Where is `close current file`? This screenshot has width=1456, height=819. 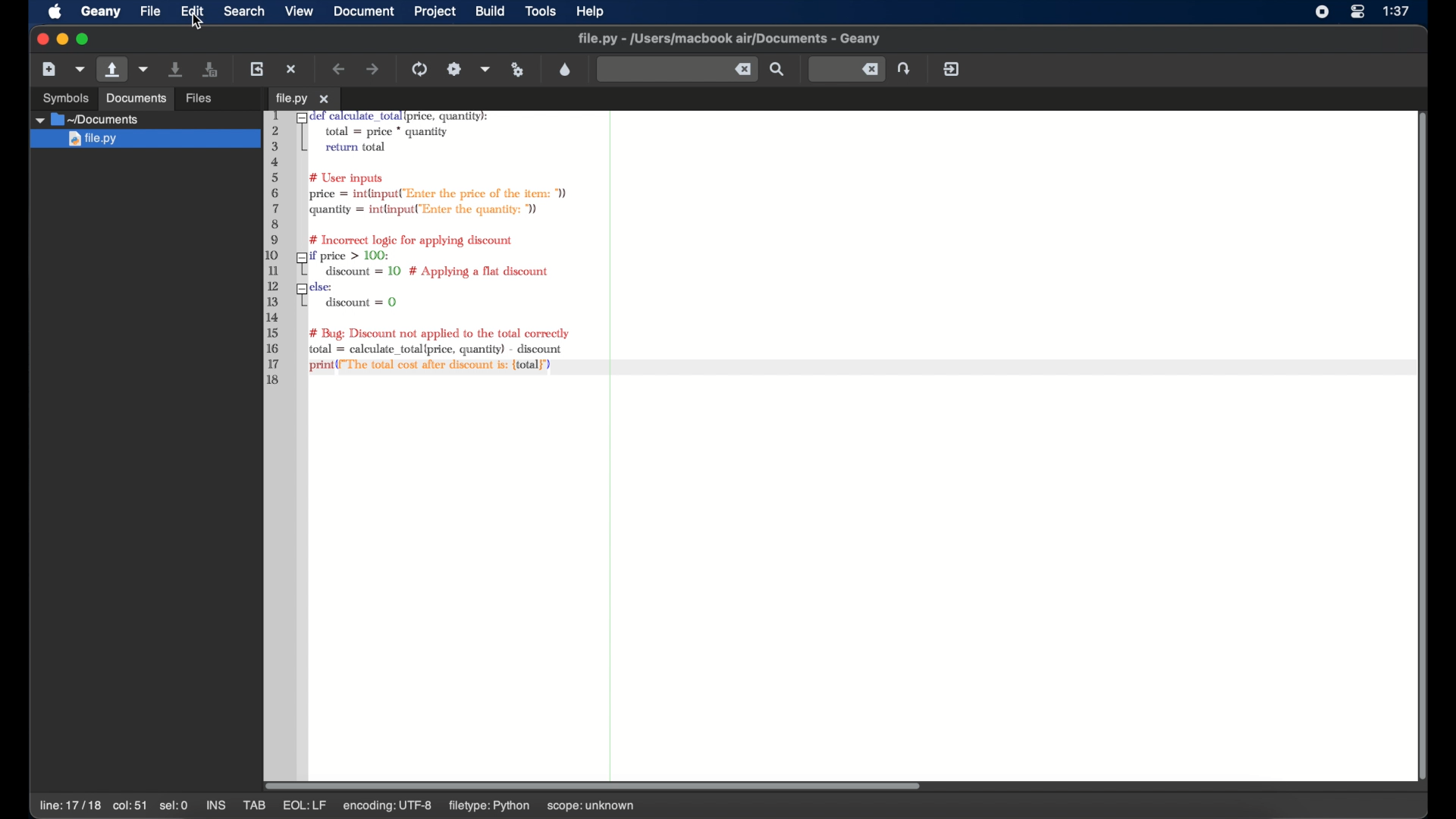 close current file is located at coordinates (293, 69).